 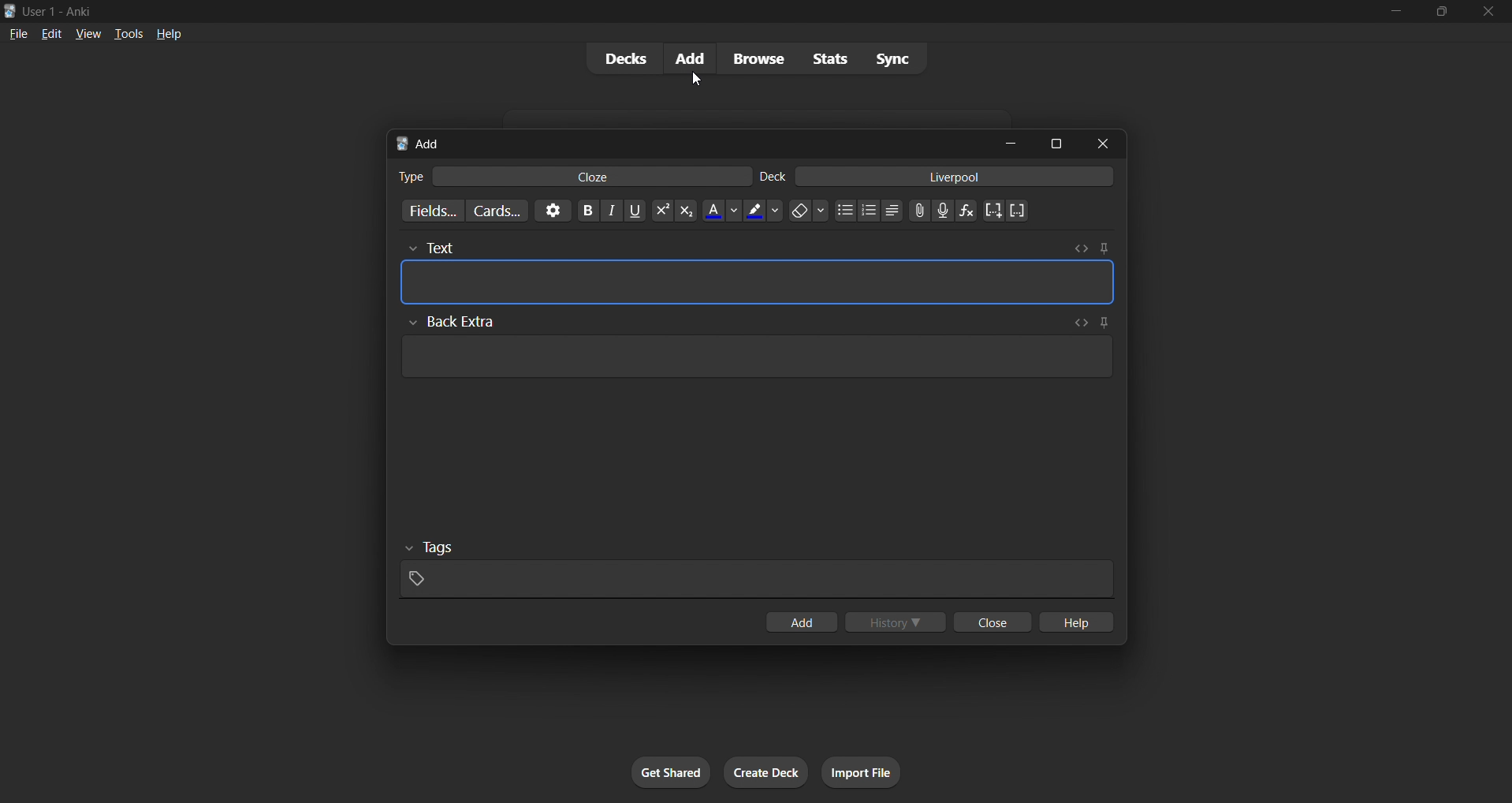 What do you see at coordinates (752, 361) in the screenshot?
I see `card back extra field` at bounding box center [752, 361].